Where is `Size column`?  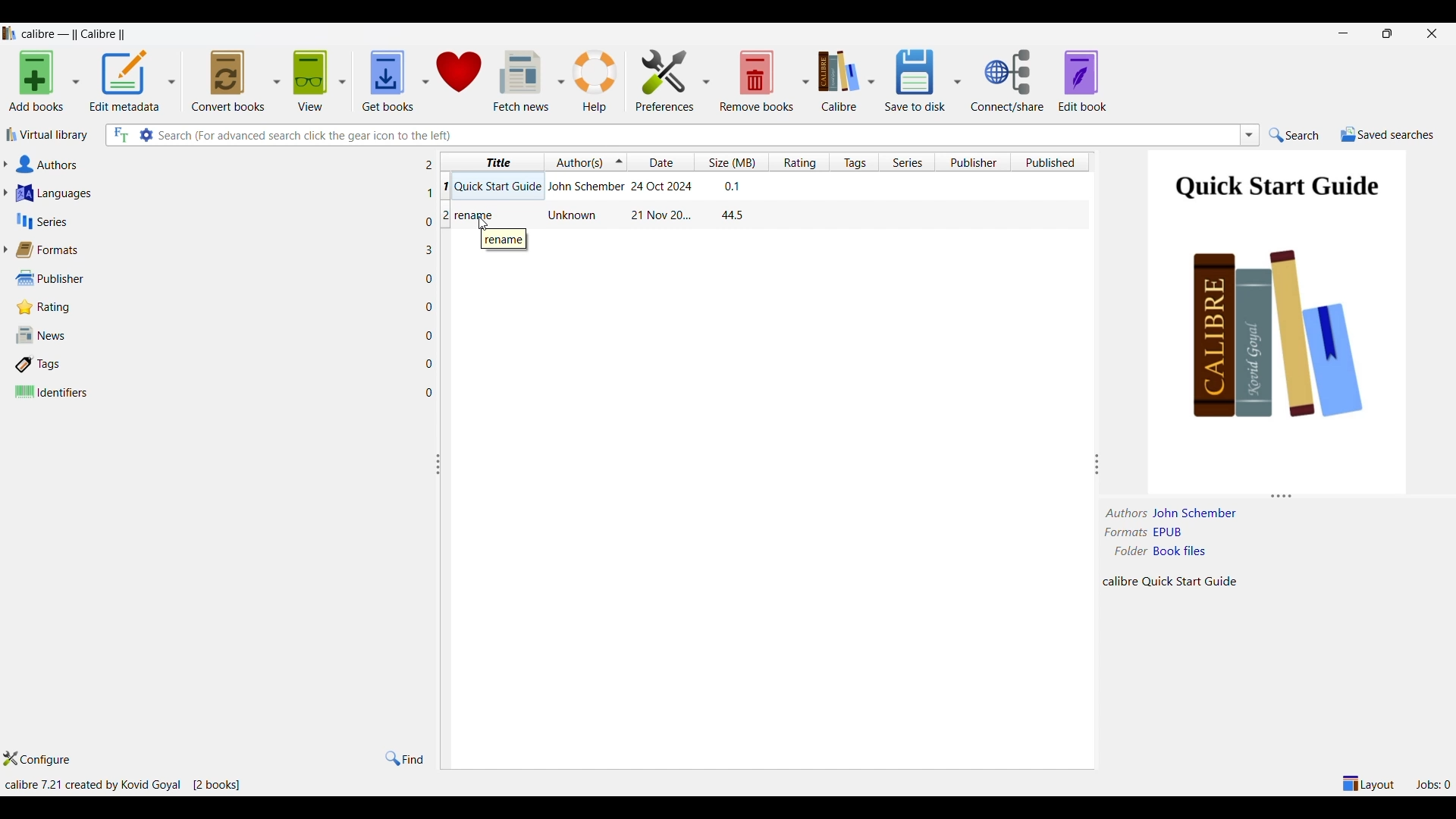 Size column is located at coordinates (731, 162).